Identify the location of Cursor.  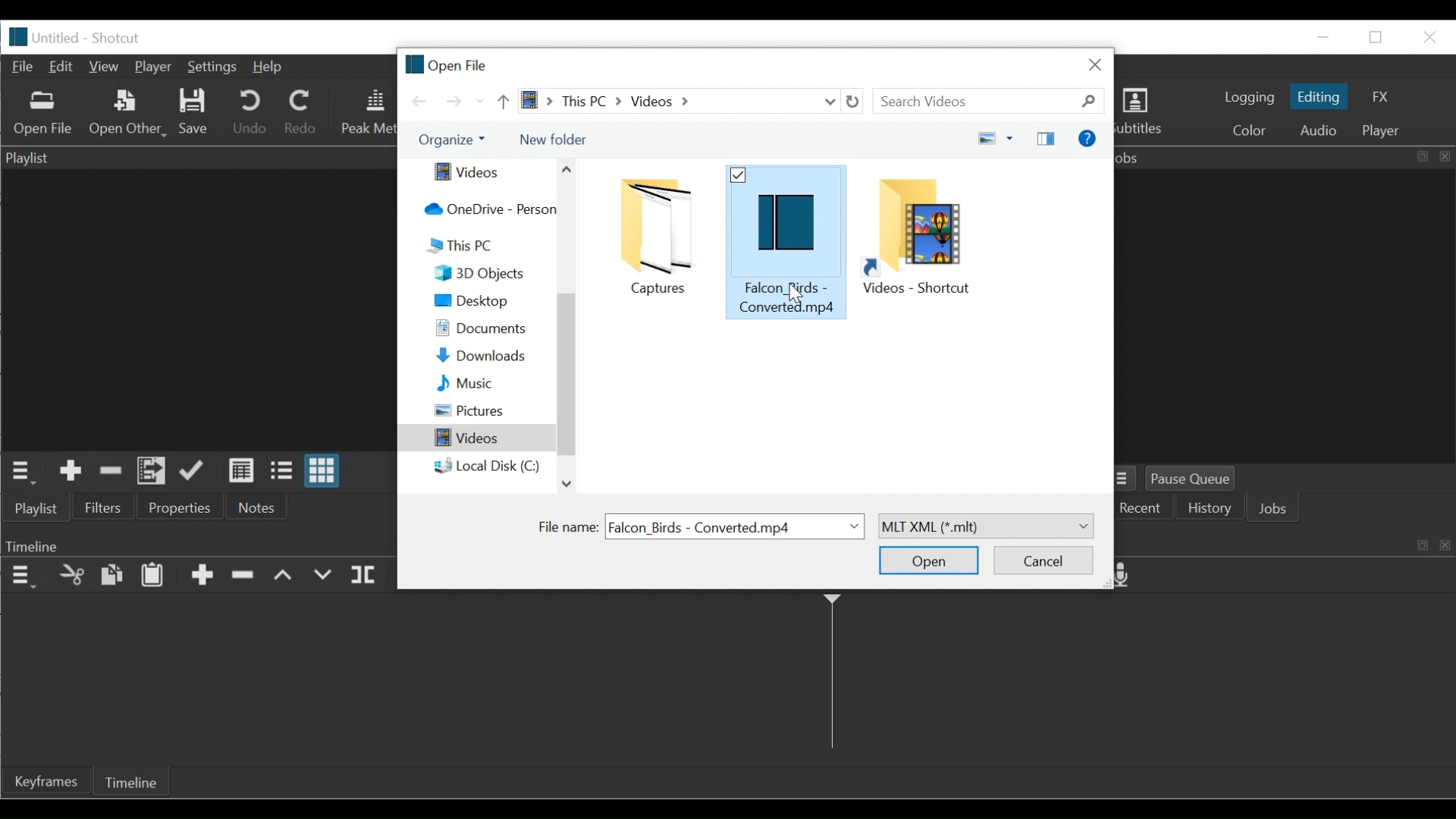
(799, 293).